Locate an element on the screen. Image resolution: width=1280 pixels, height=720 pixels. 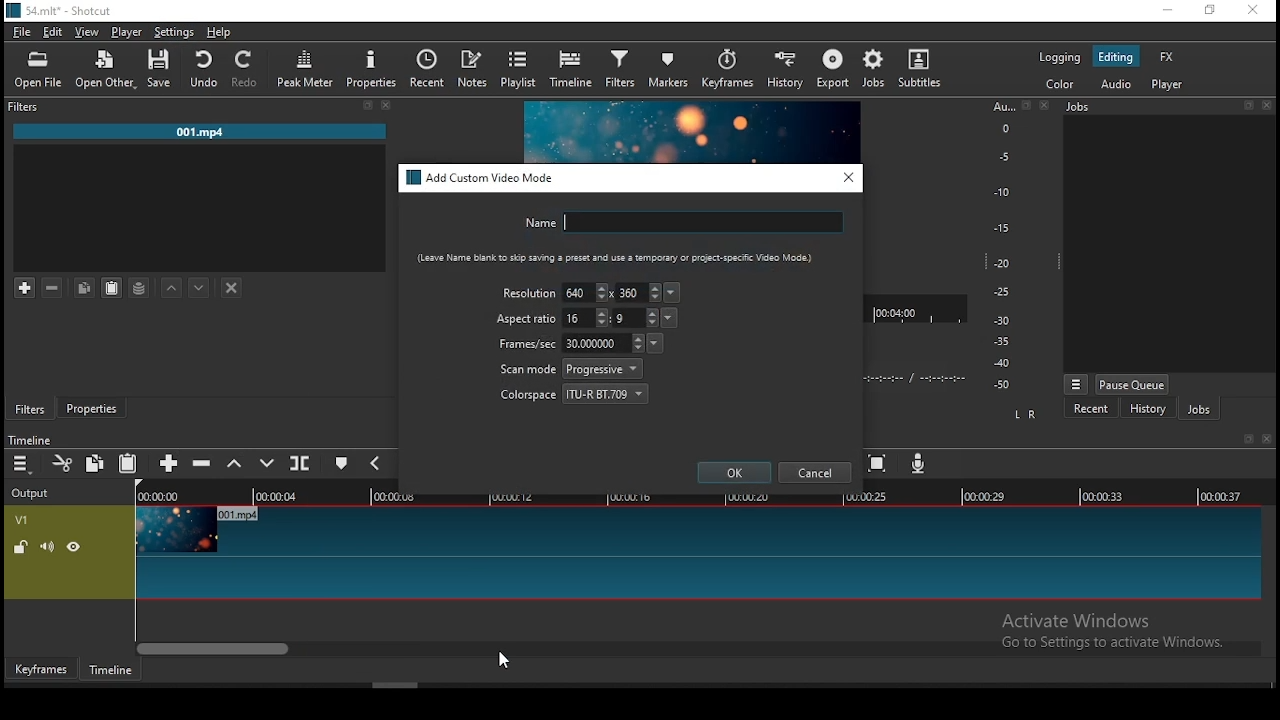
editing is located at coordinates (1116, 57).